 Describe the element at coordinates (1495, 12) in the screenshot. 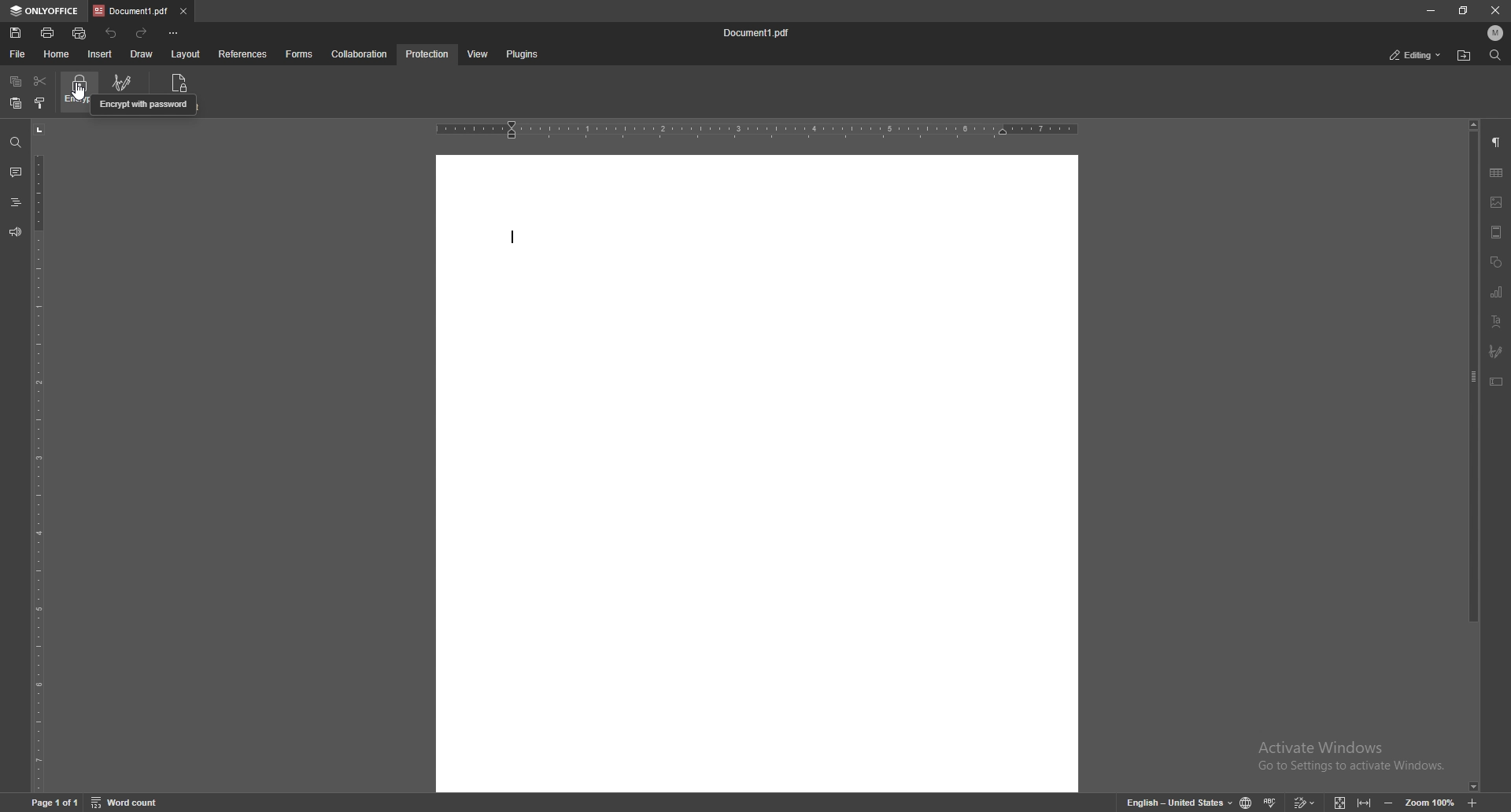

I see `close` at that location.